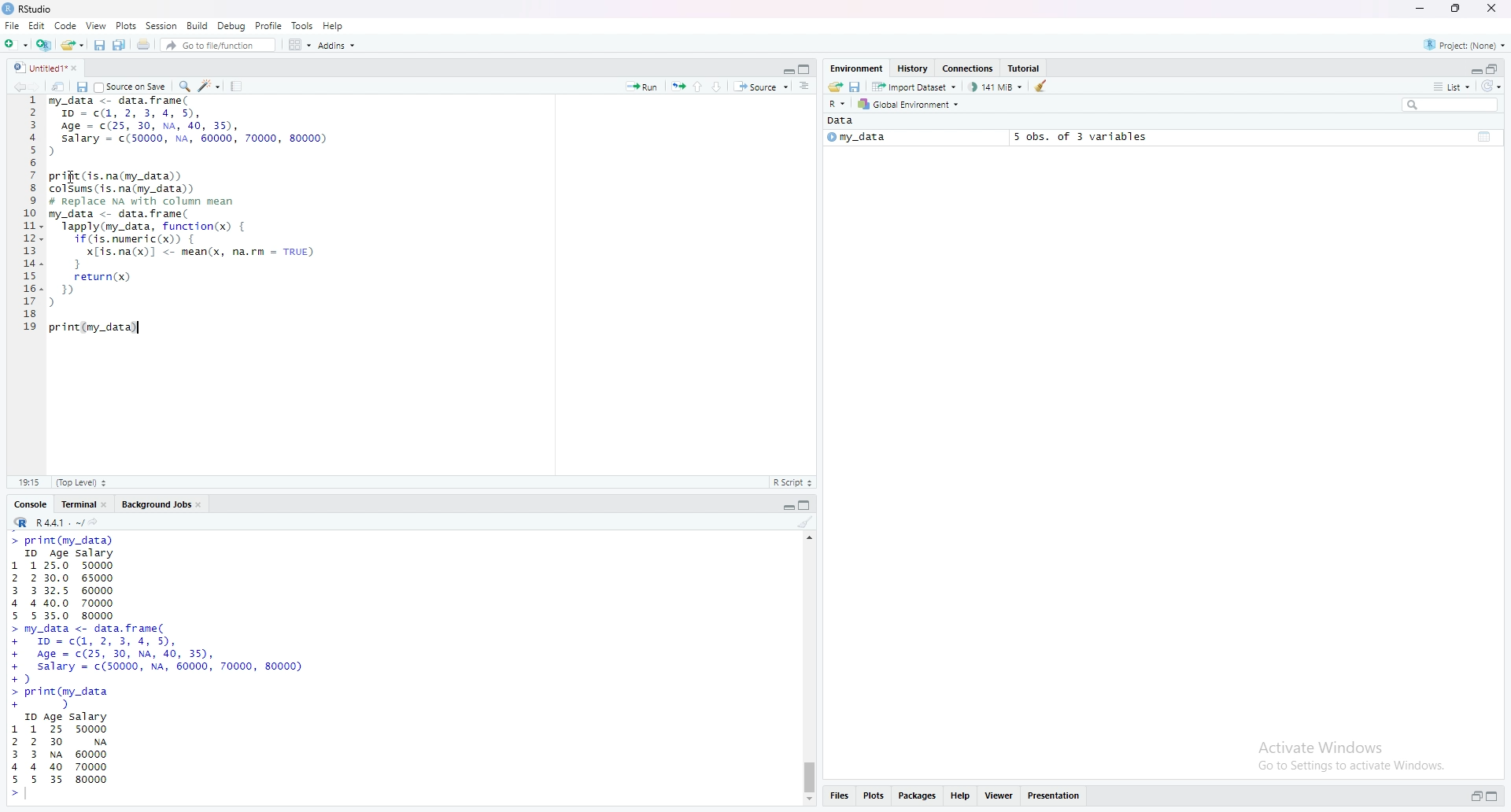 The height and width of the screenshot is (812, 1511). I want to click on data frame set, so click(161, 667).